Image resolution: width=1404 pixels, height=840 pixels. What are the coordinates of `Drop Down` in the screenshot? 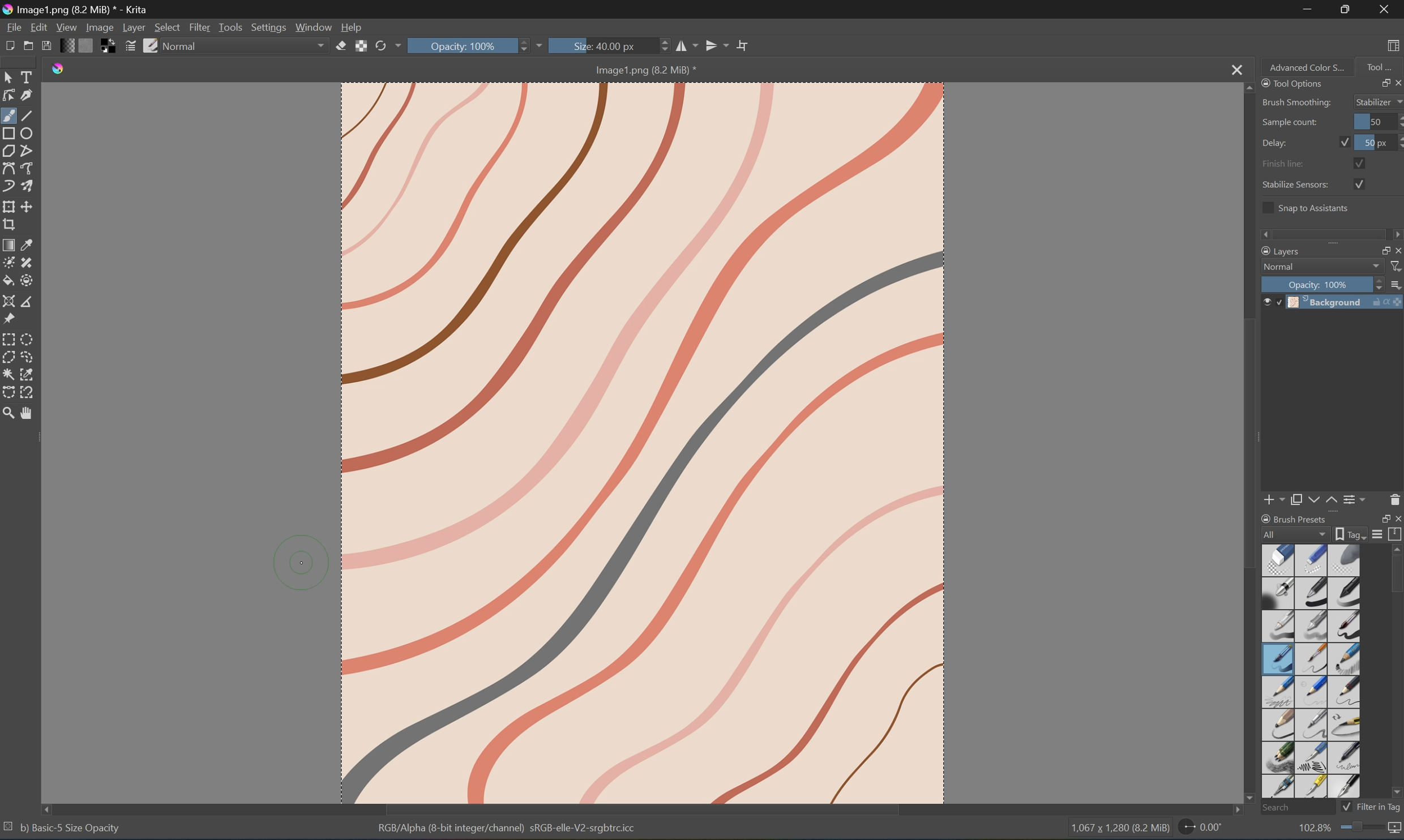 It's located at (1375, 267).